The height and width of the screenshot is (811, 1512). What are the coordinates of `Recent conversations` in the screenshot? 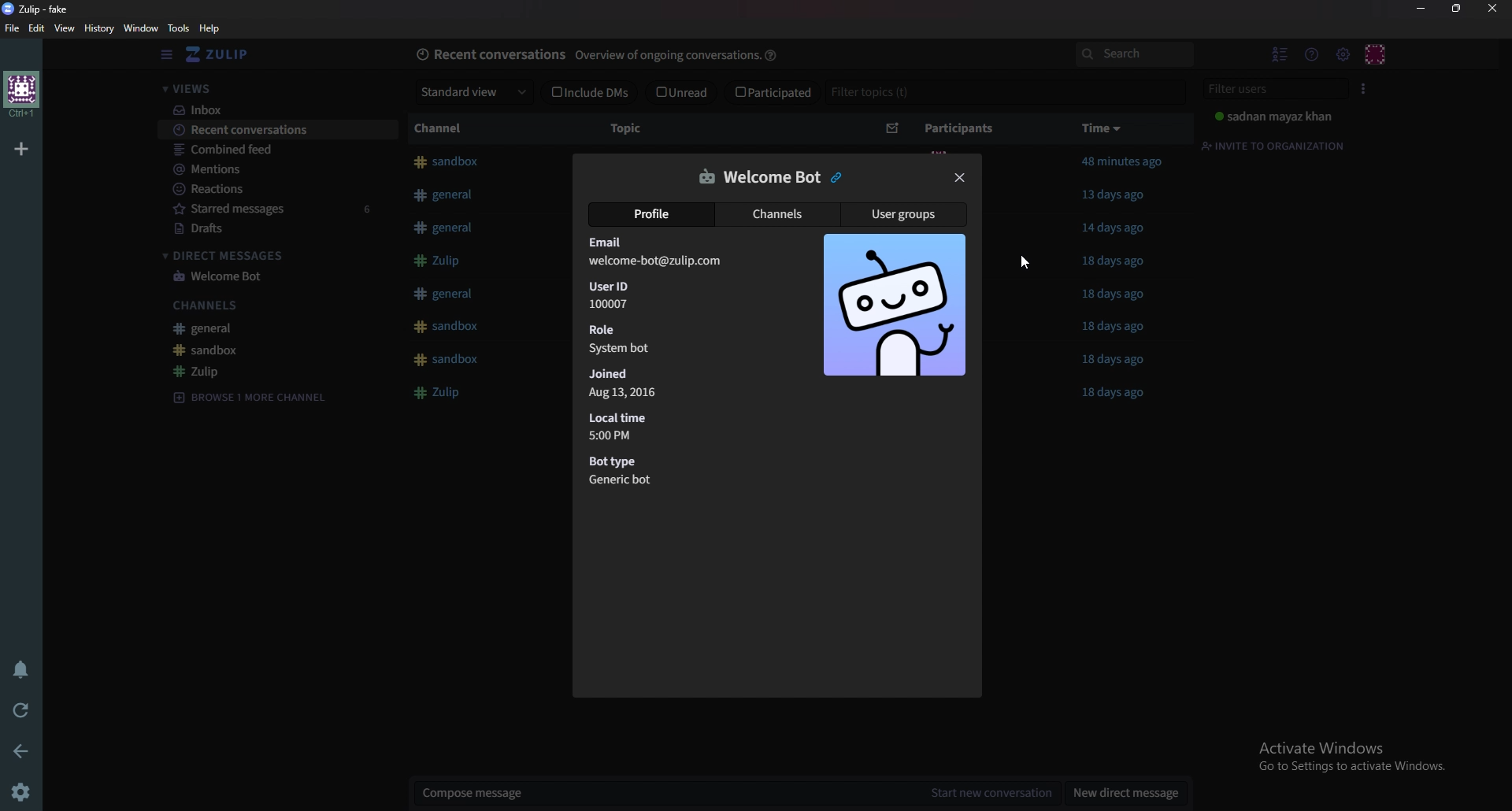 It's located at (280, 131).